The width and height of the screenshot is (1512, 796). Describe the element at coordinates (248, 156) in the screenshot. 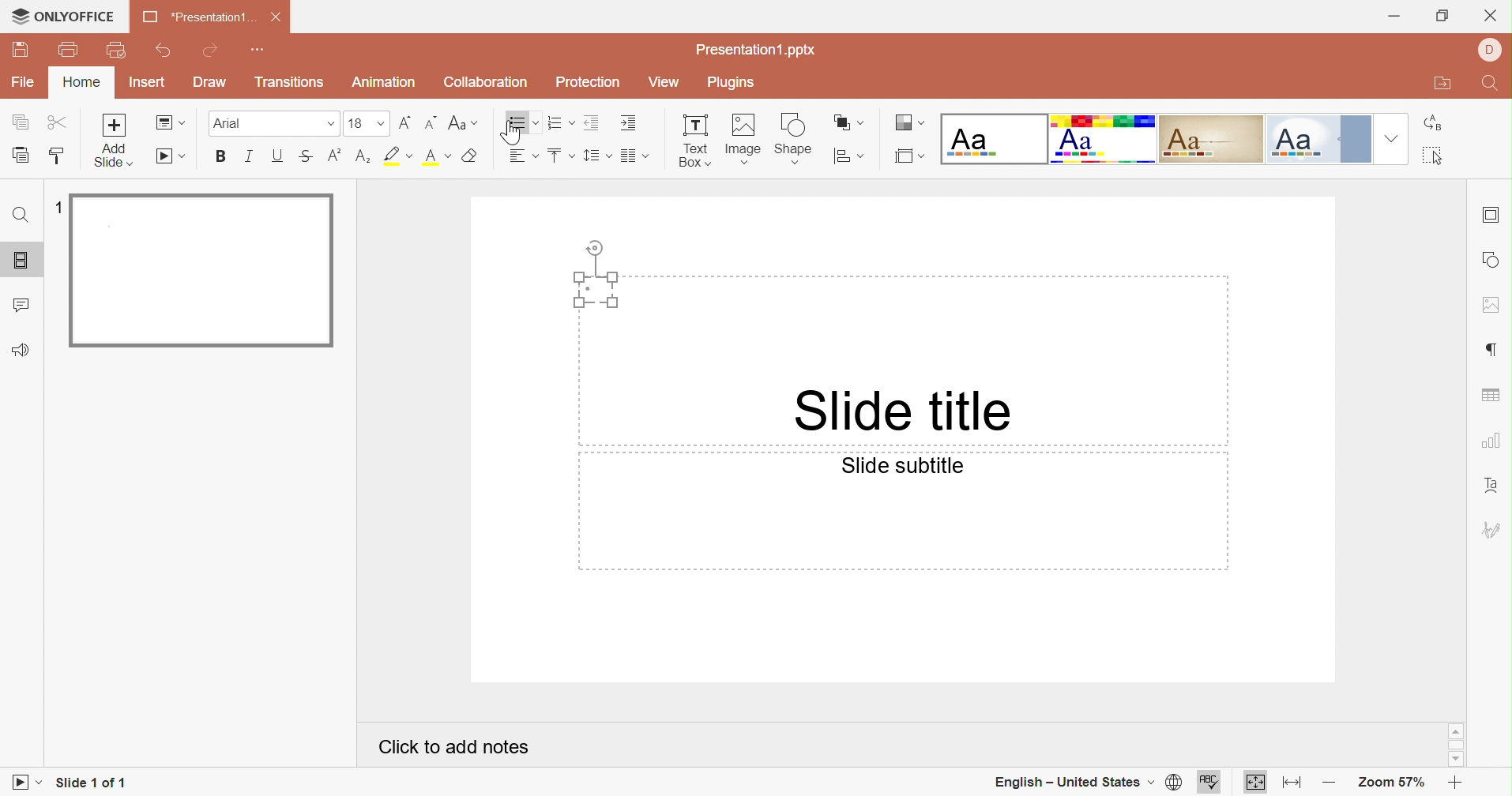

I see `Italic` at that location.